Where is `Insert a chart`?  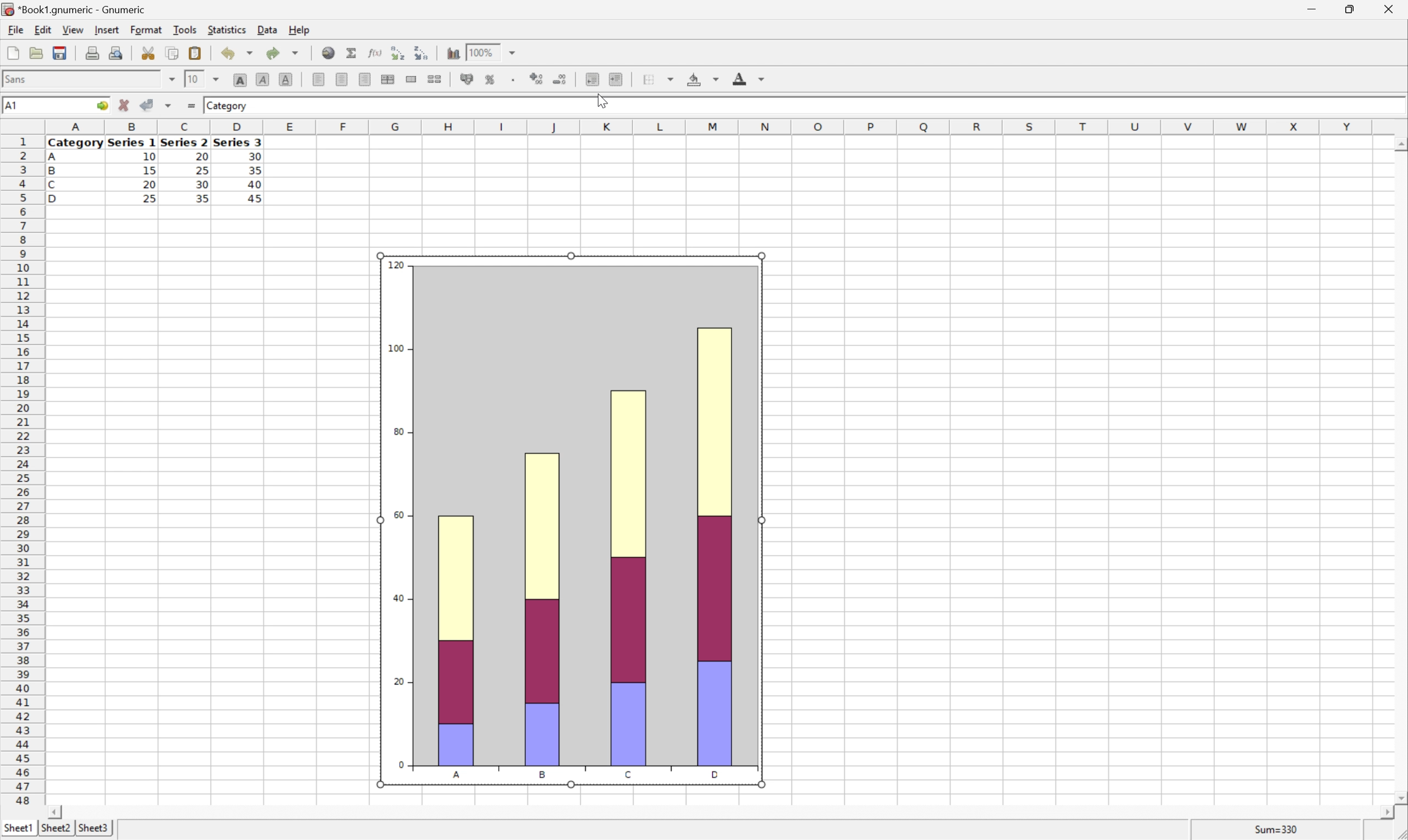
Insert a chart is located at coordinates (452, 54).